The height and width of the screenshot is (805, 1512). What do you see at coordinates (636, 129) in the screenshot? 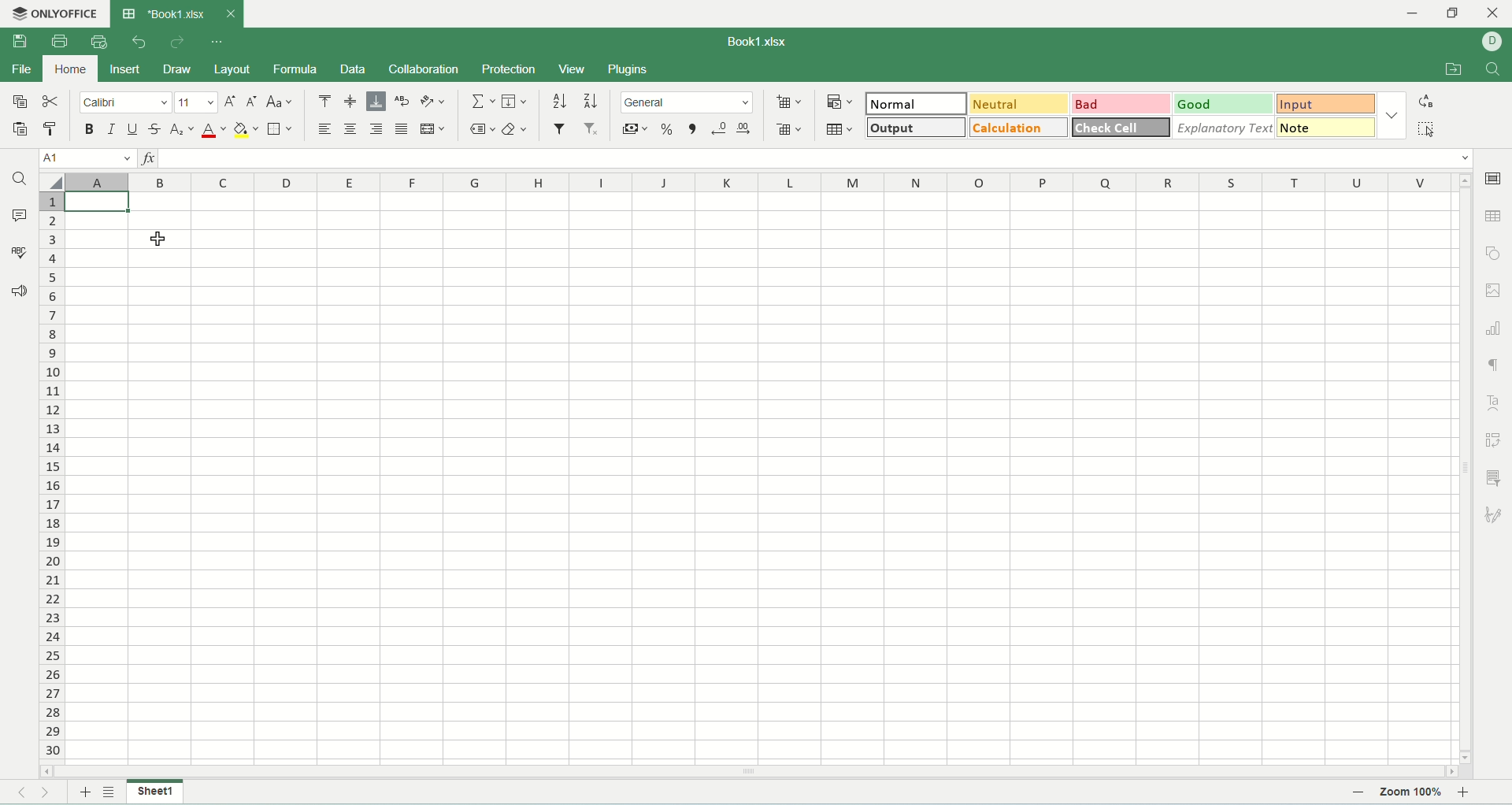
I see `accounting style` at bounding box center [636, 129].